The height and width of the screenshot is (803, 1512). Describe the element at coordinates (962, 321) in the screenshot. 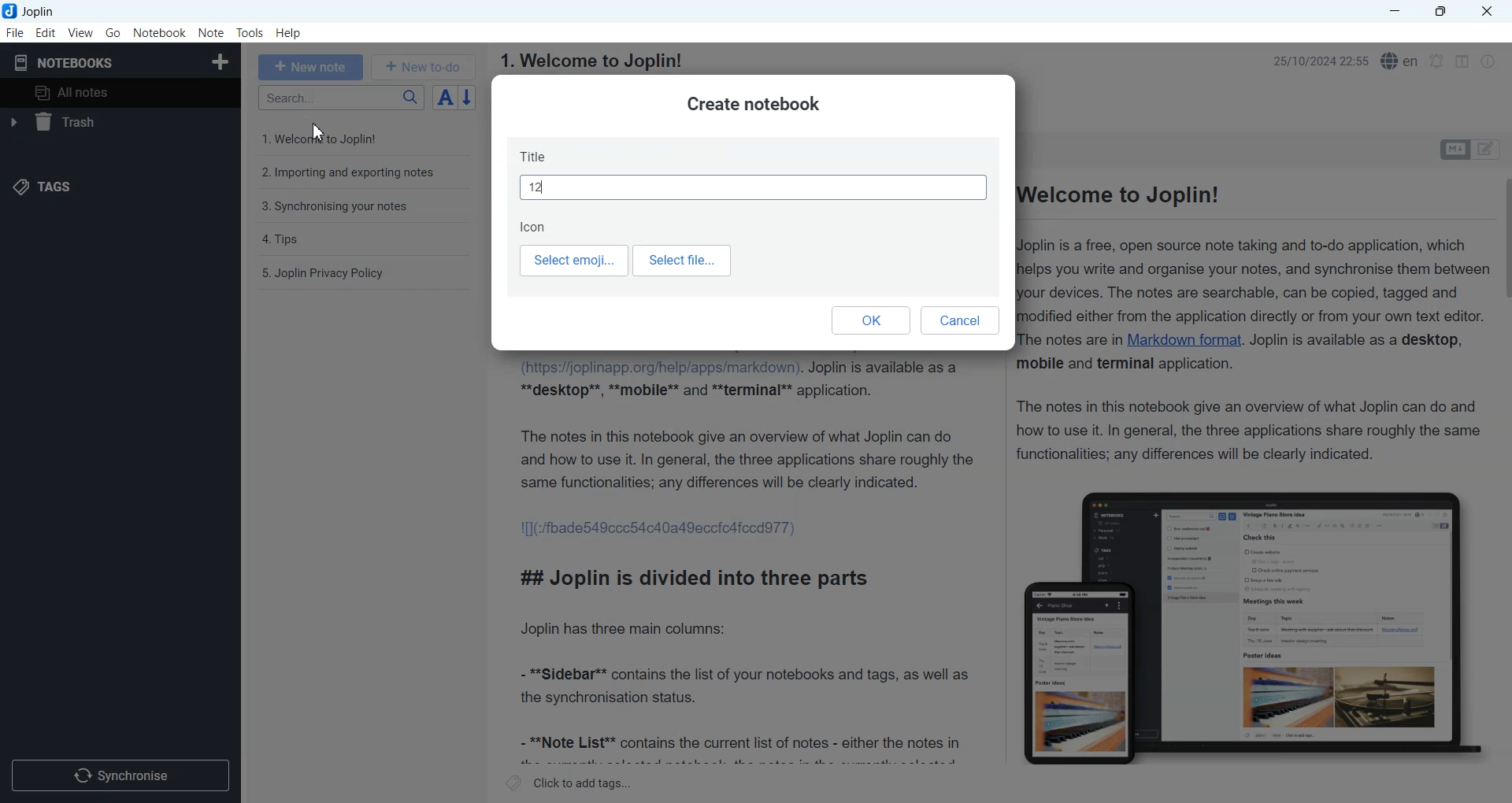

I see `Cancel` at that location.